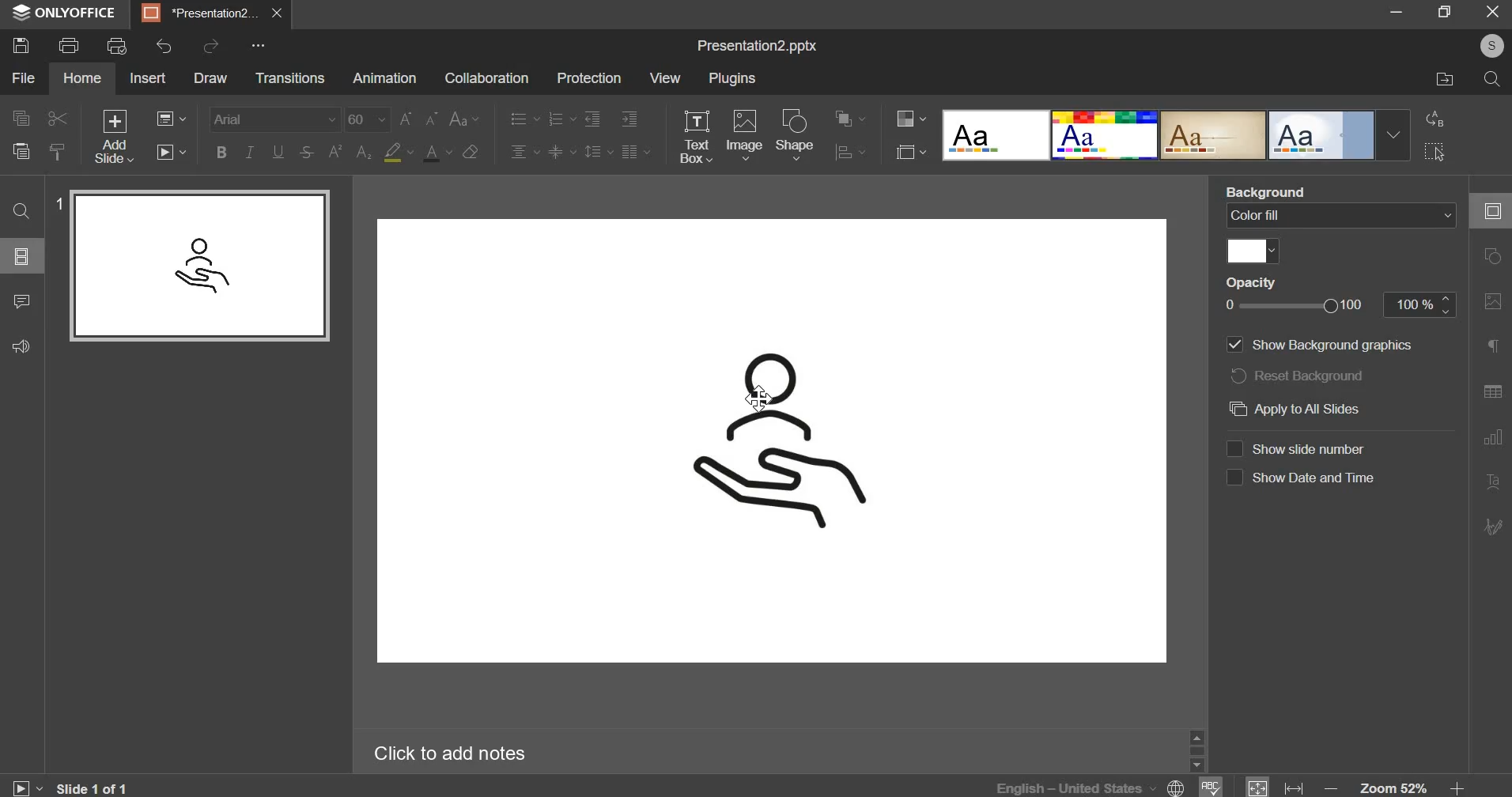 Image resolution: width=1512 pixels, height=797 pixels. What do you see at coordinates (1492, 211) in the screenshot?
I see `slide settings` at bounding box center [1492, 211].